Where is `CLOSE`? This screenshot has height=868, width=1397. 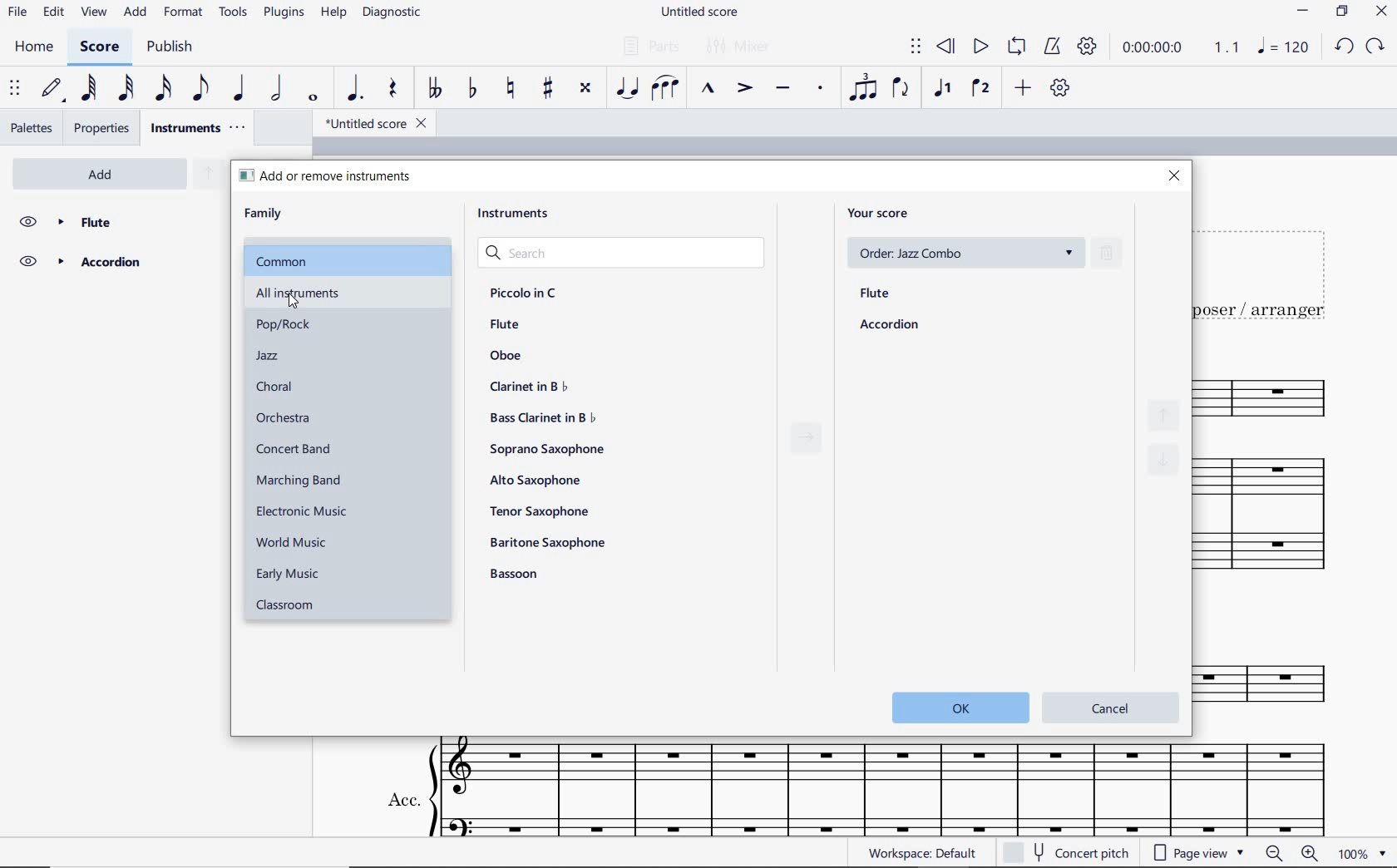 CLOSE is located at coordinates (1380, 11).